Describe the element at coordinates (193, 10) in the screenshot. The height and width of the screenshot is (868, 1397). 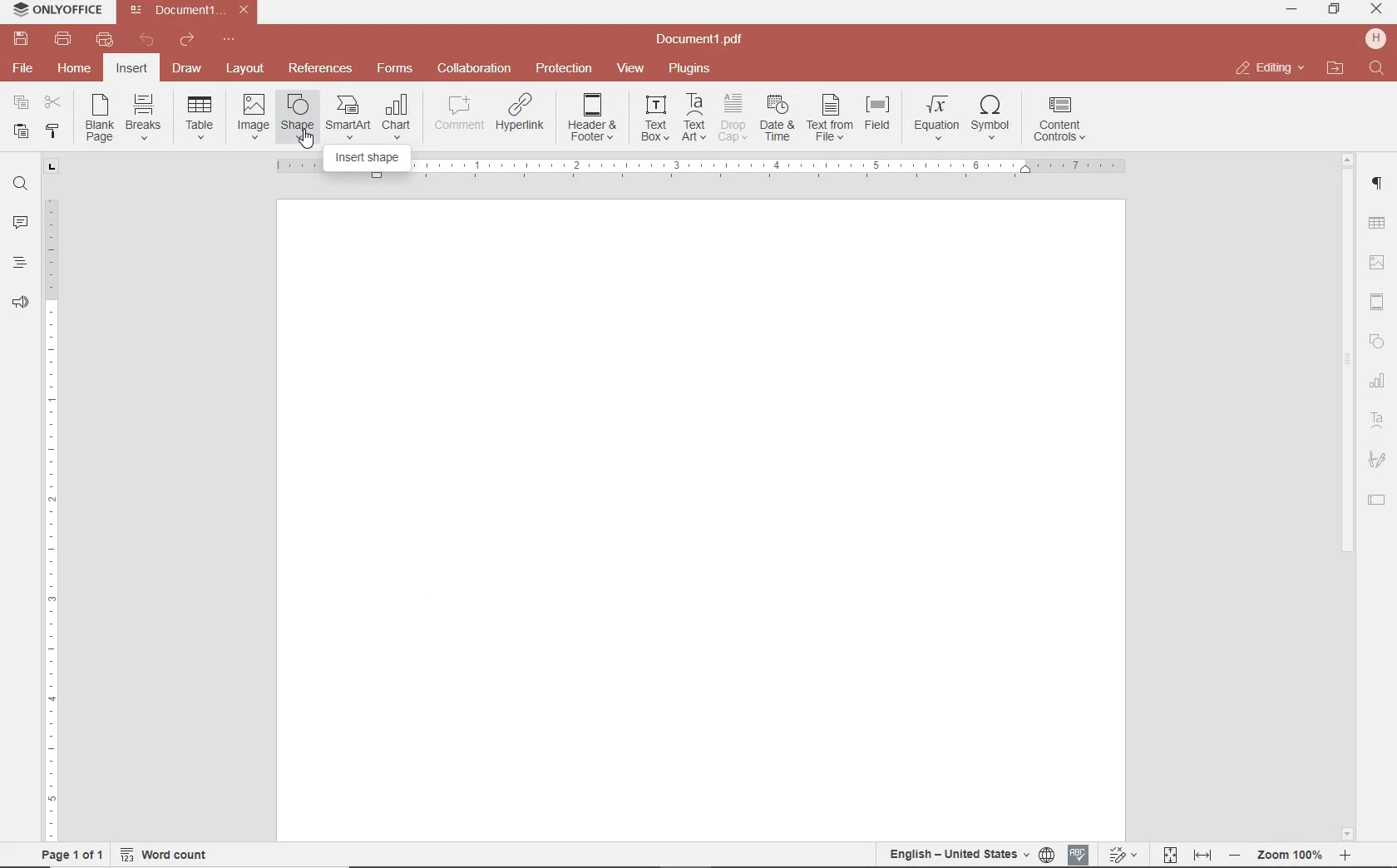
I see `file name` at that location.